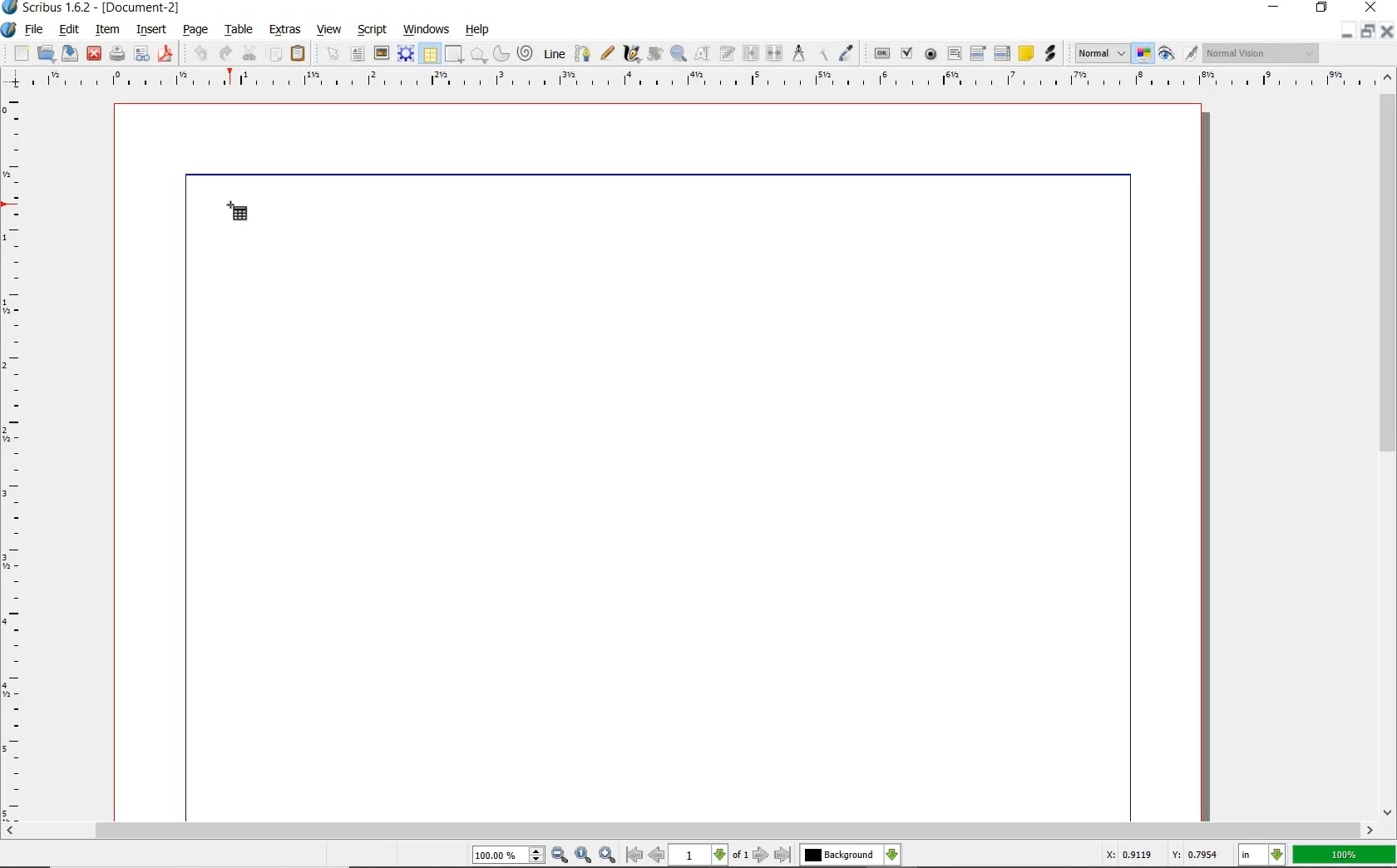 The height and width of the screenshot is (868, 1397). I want to click on help, so click(480, 32).